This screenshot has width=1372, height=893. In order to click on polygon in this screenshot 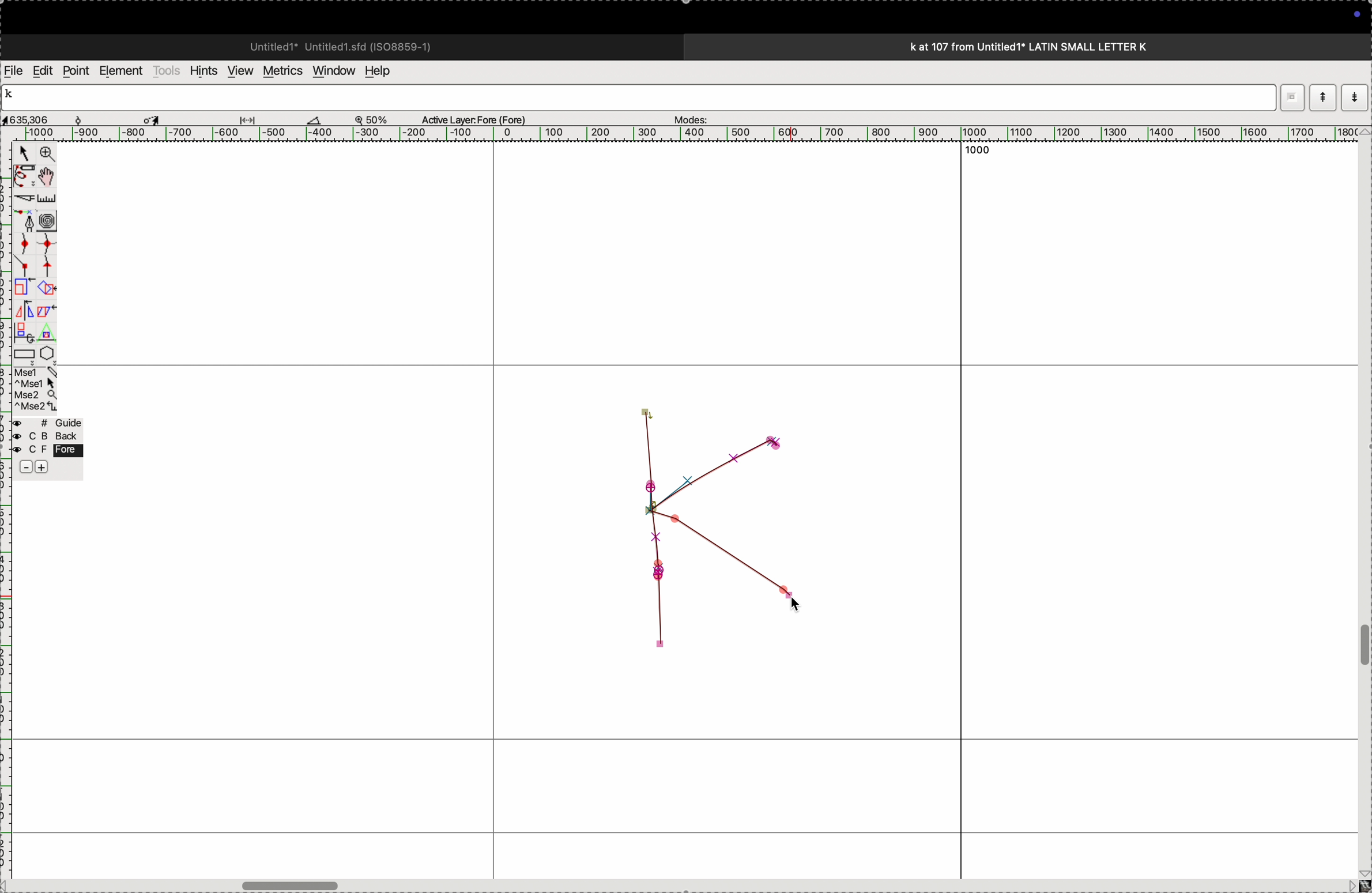, I will do `click(47, 353)`.